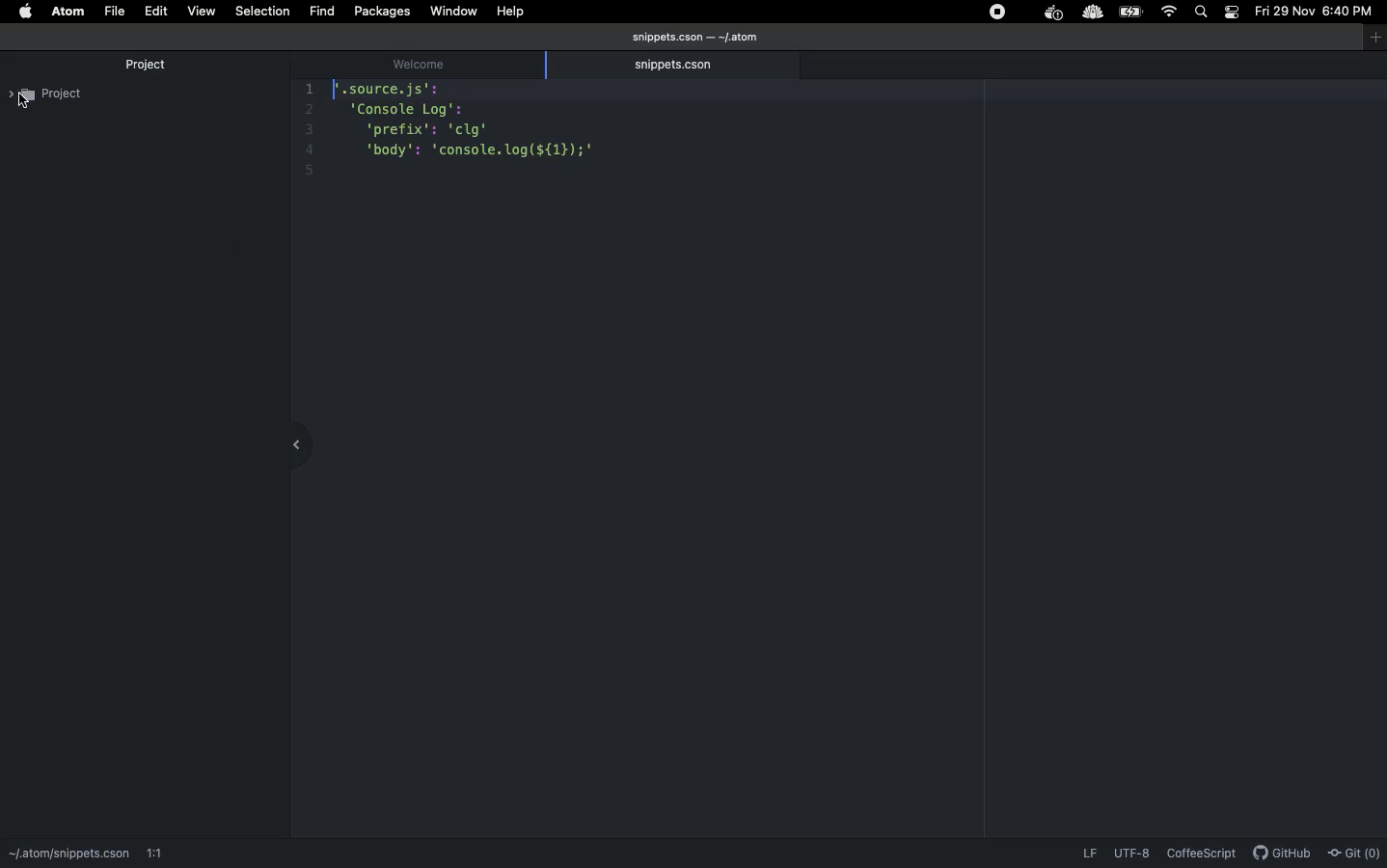 Image resolution: width=1387 pixels, height=868 pixels. Describe the element at coordinates (1204, 12) in the screenshot. I see `Search` at that location.